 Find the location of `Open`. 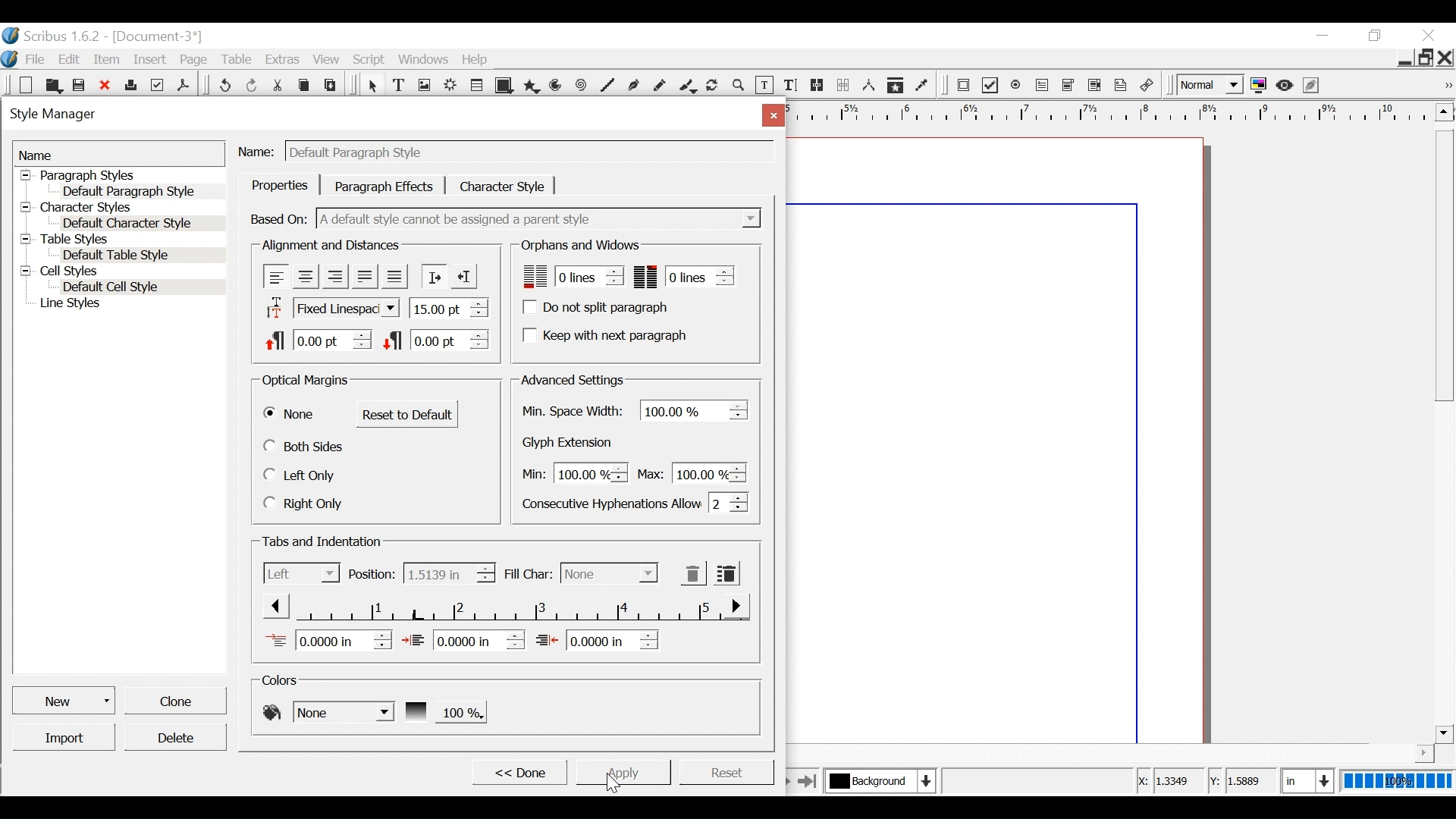

Open is located at coordinates (52, 85).